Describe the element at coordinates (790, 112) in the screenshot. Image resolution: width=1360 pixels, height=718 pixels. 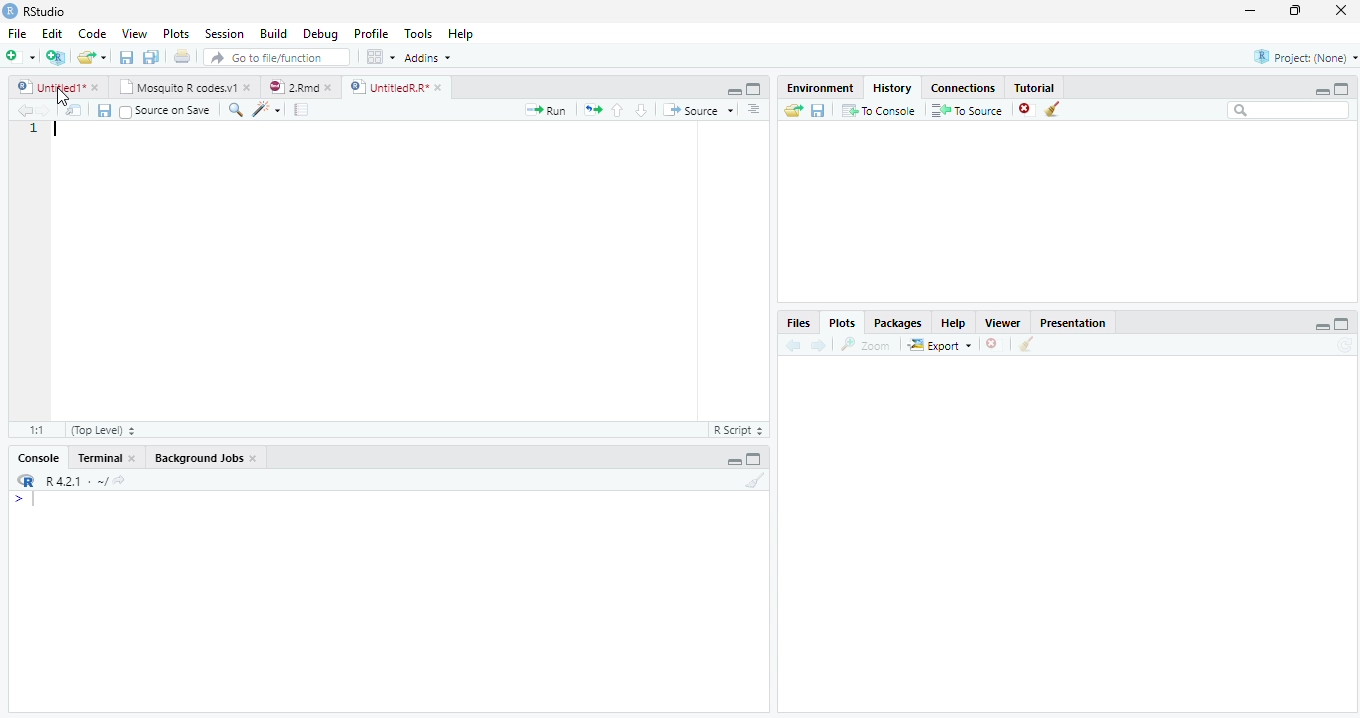
I see `Load workspace` at that location.